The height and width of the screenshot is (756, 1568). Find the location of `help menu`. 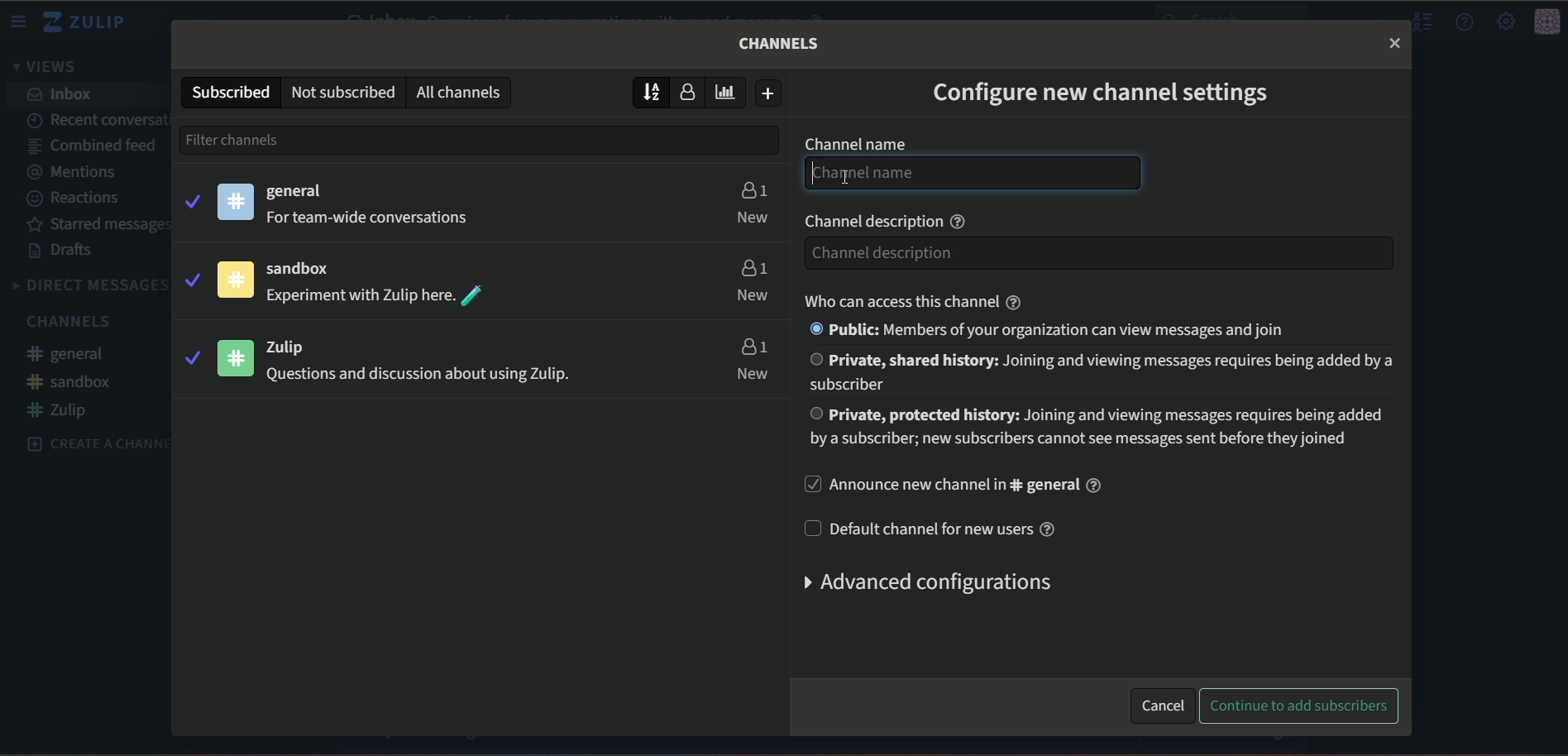

help menu is located at coordinates (1465, 22).